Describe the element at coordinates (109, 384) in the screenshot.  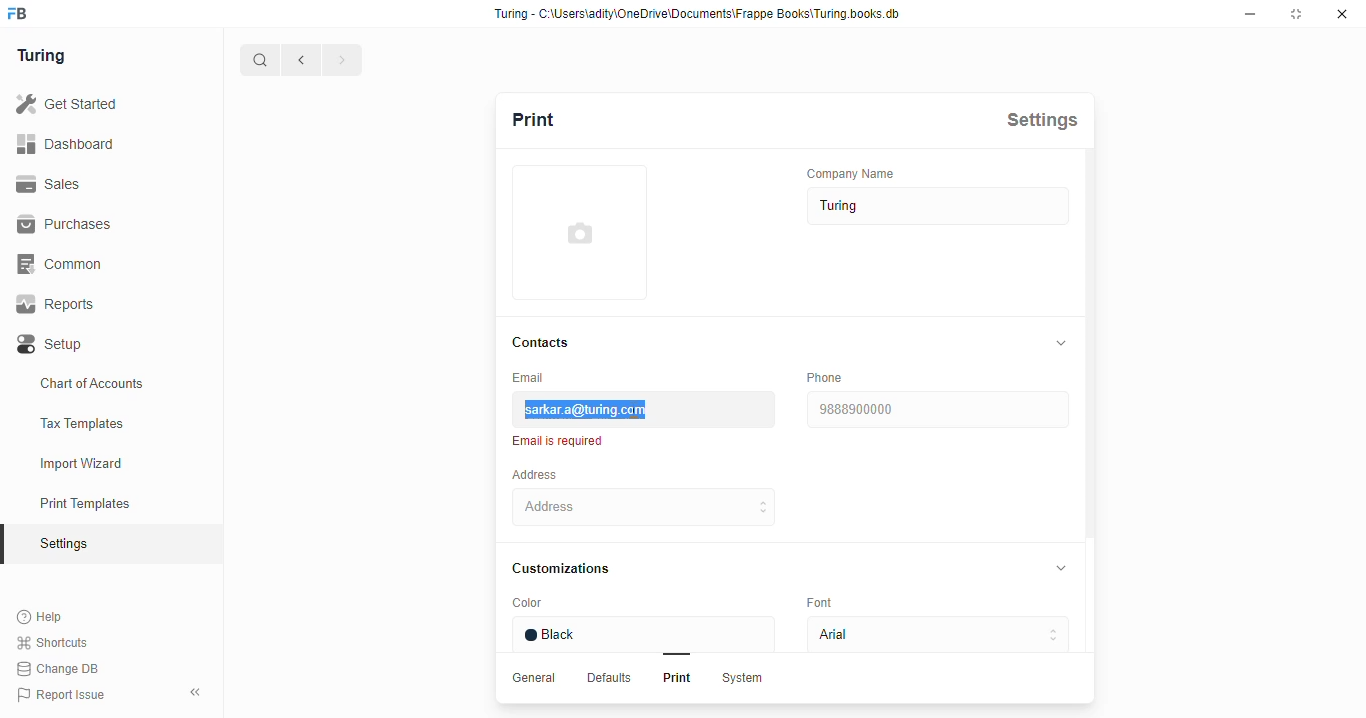
I see `Chart of Accounts.` at that location.